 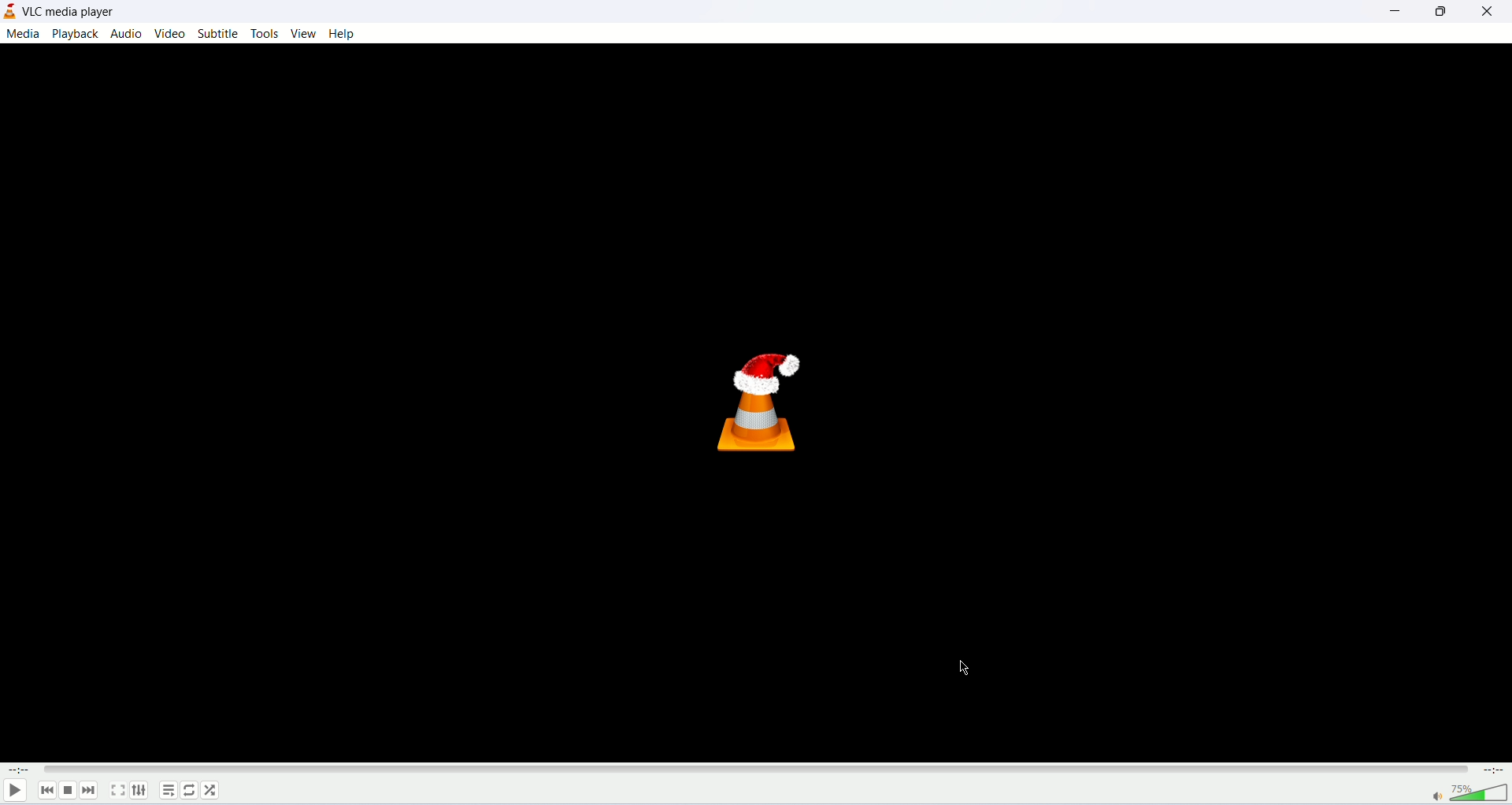 I want to click on stop, so click(x=67, y=791).